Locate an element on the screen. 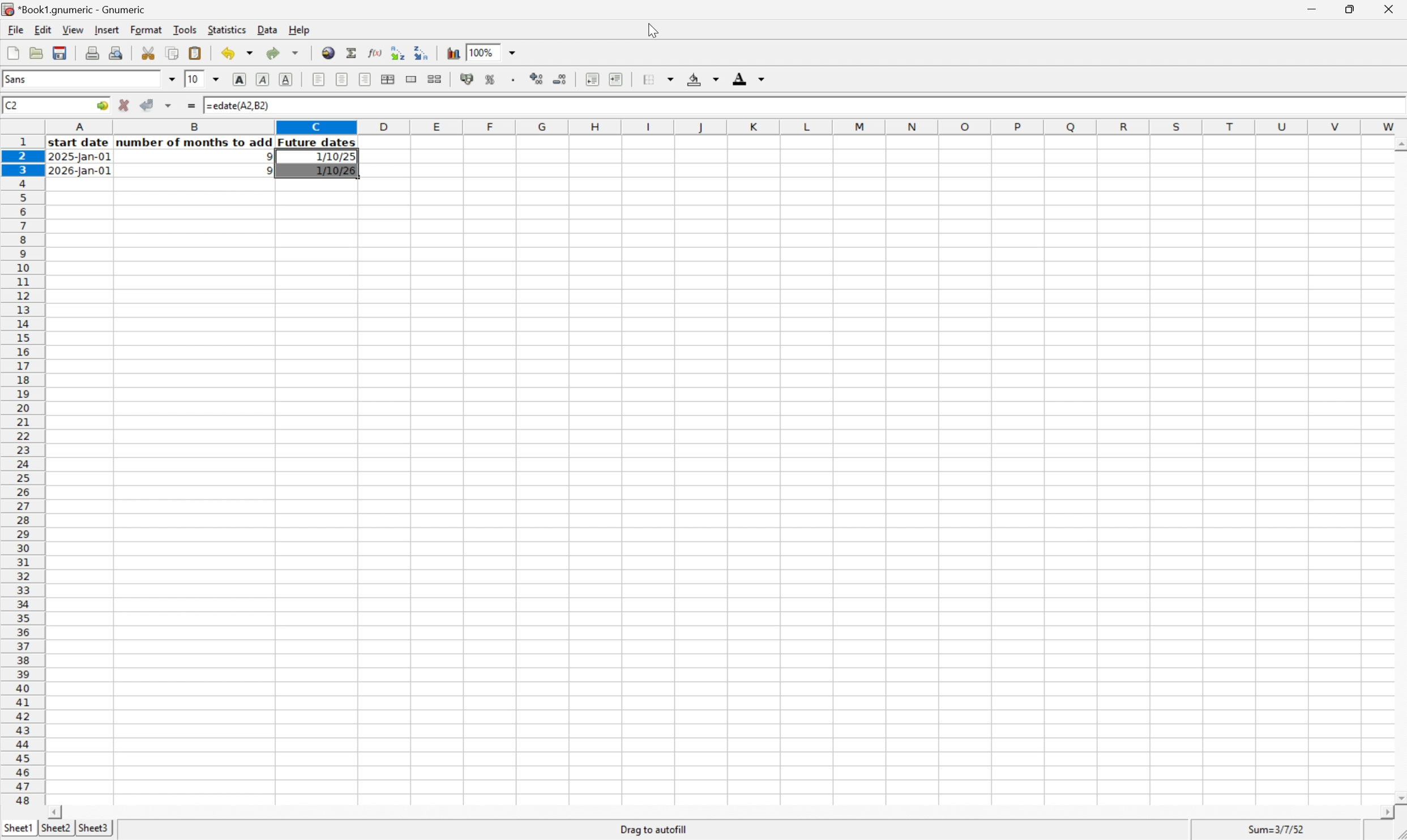 The image size is (1407, 840). Scroll Left is located at coordinates (57, 811).